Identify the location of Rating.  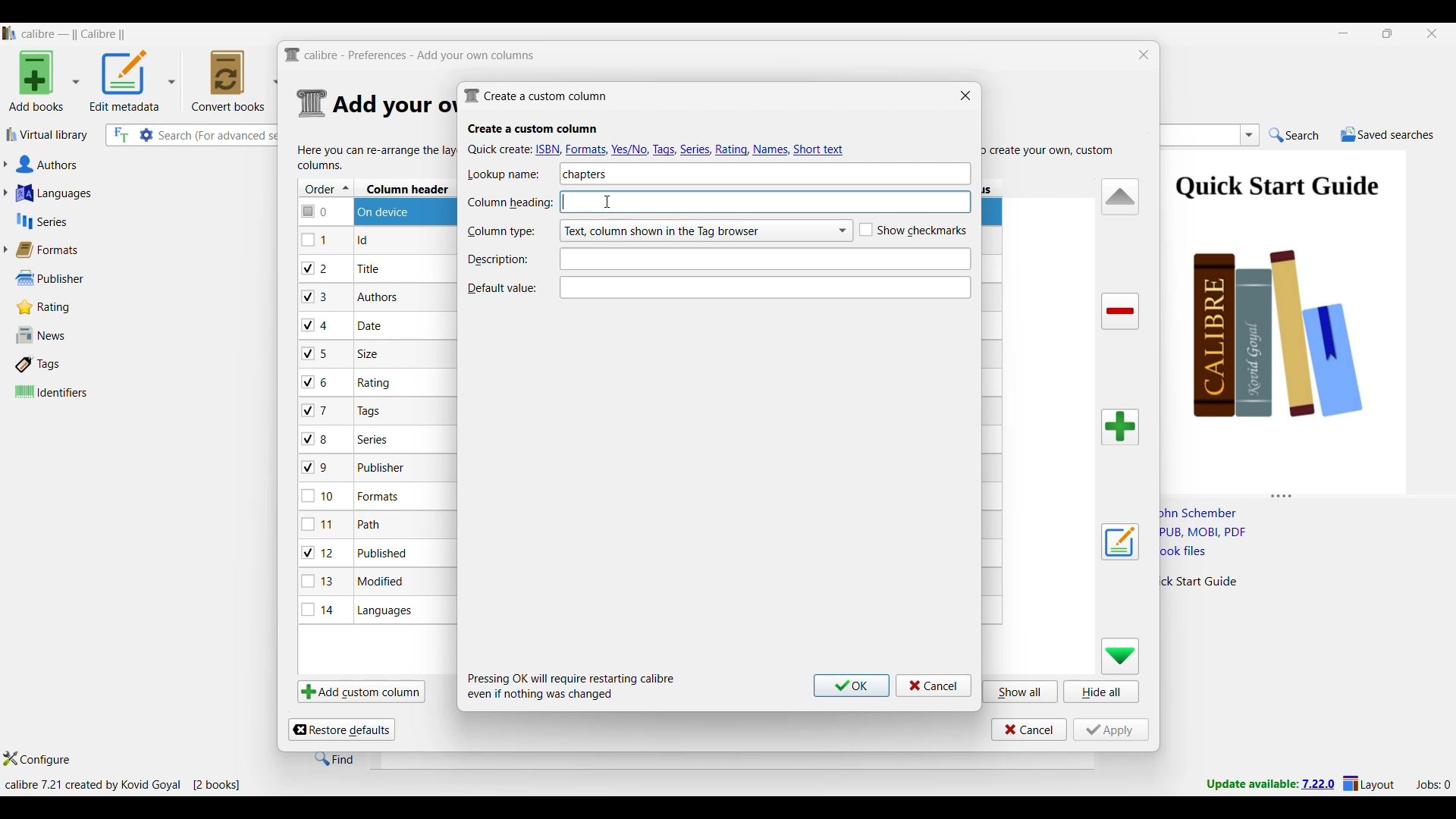
(52, 307).